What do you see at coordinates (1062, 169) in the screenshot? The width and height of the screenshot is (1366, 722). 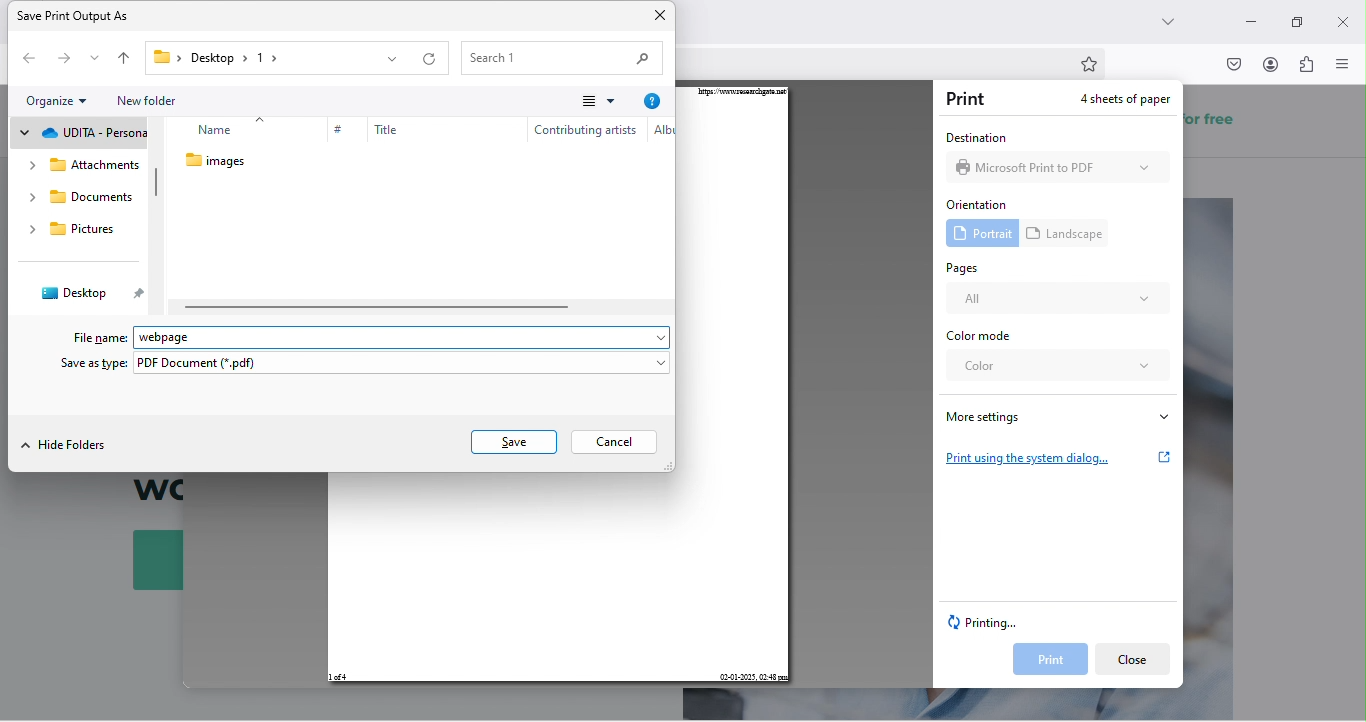 I see `microsoft print to pdf` at bounding box center [1062, 169].